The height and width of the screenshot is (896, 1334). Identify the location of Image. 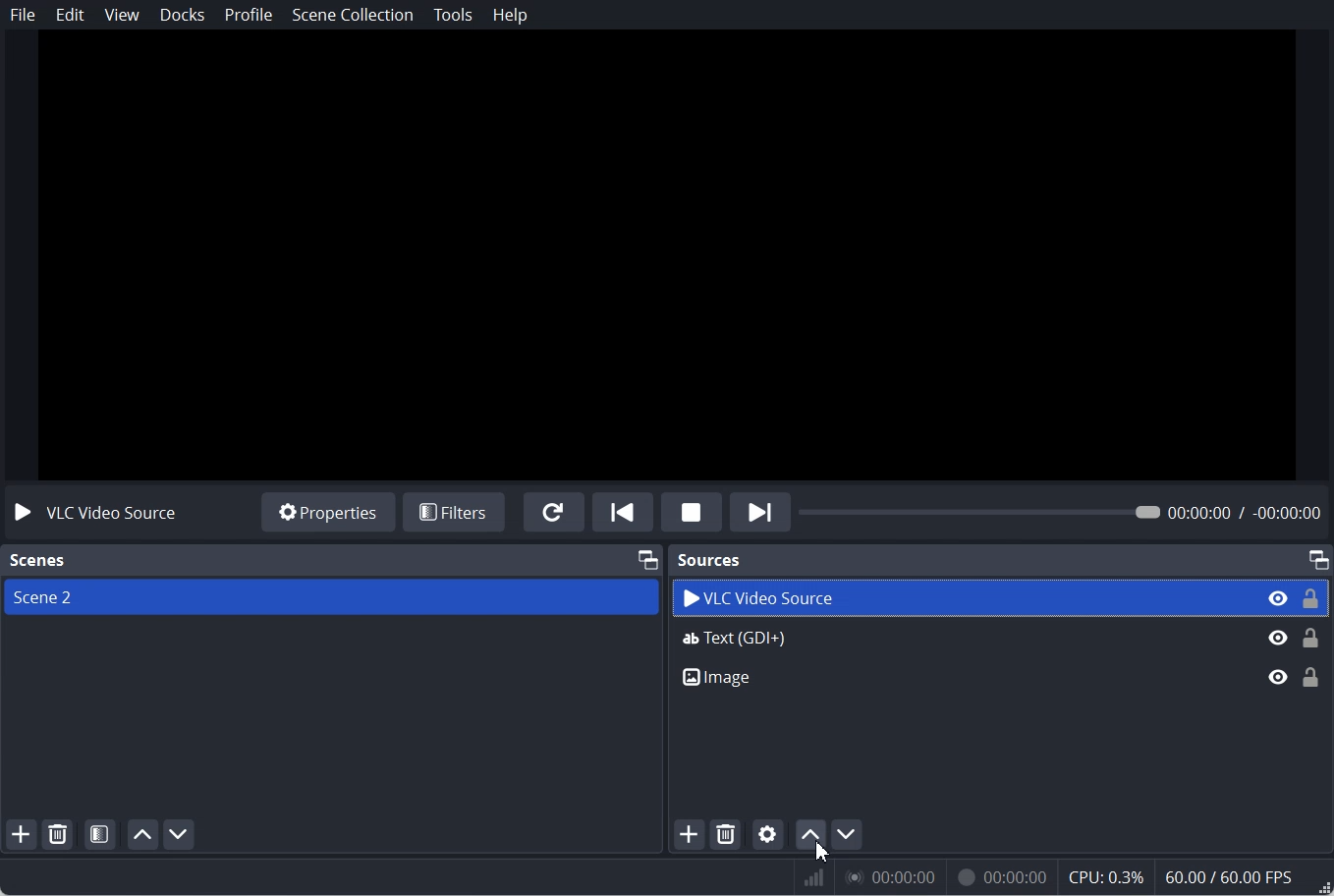
(1001, 685).